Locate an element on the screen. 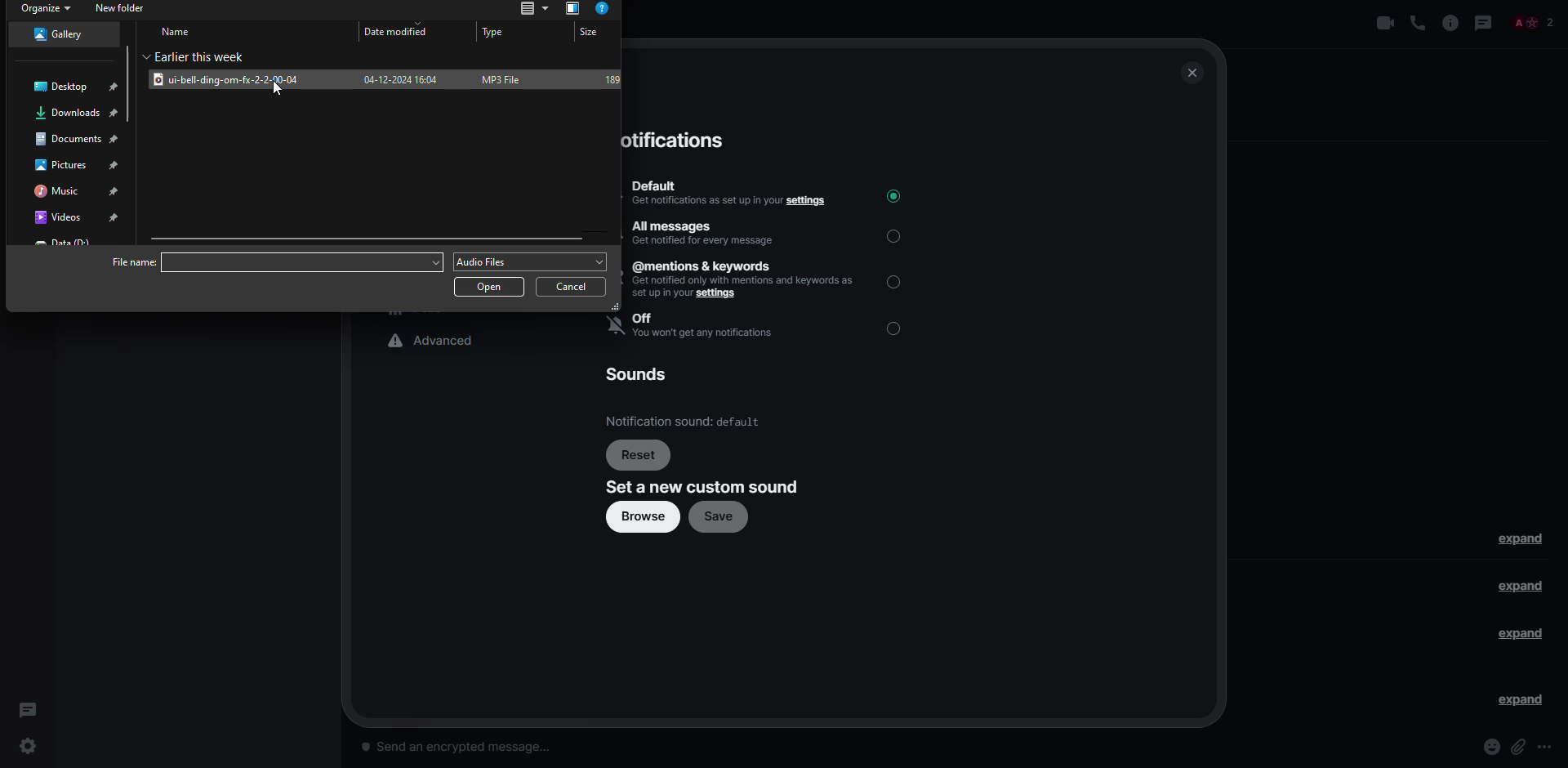 The height and width of the screenshot is (768, 1568). ‘Name is located at coordinates (180, 32).